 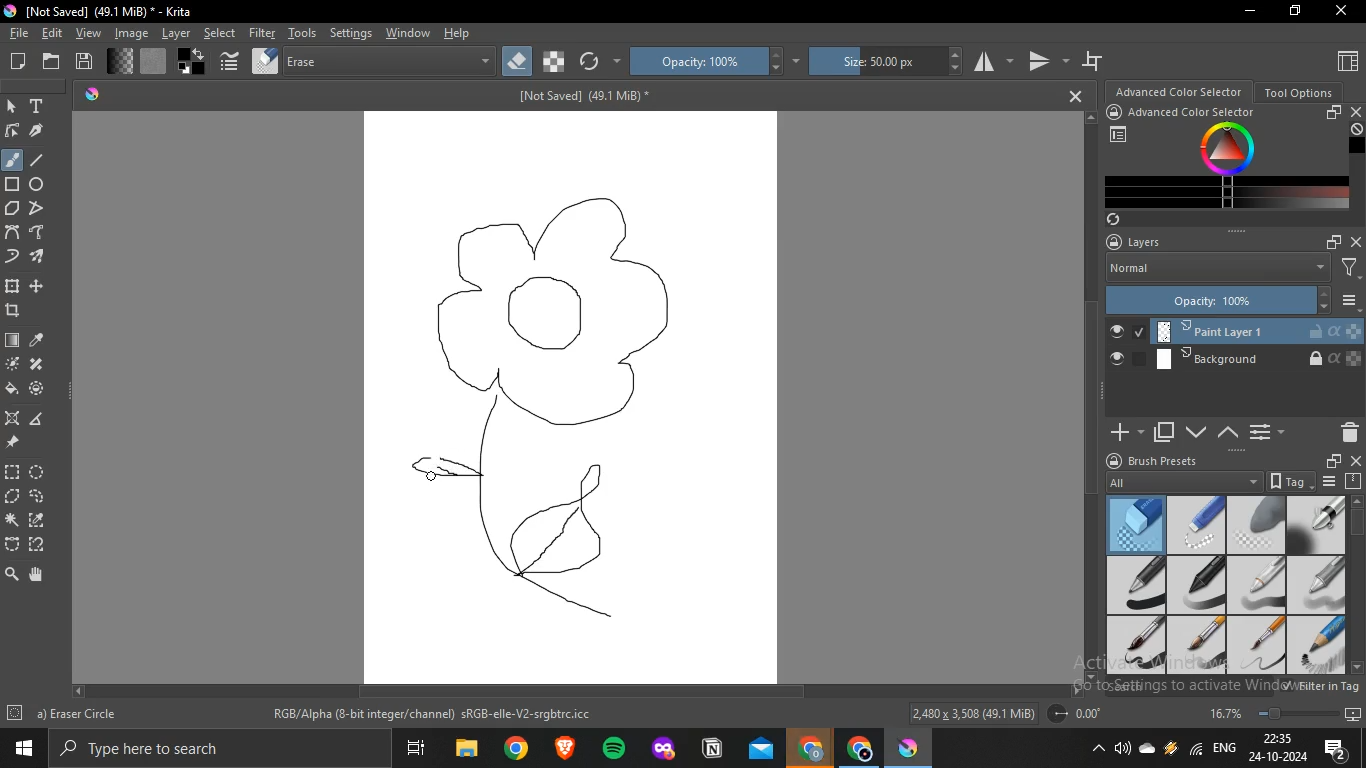 I want to click on help, so click(x=460, y=35).